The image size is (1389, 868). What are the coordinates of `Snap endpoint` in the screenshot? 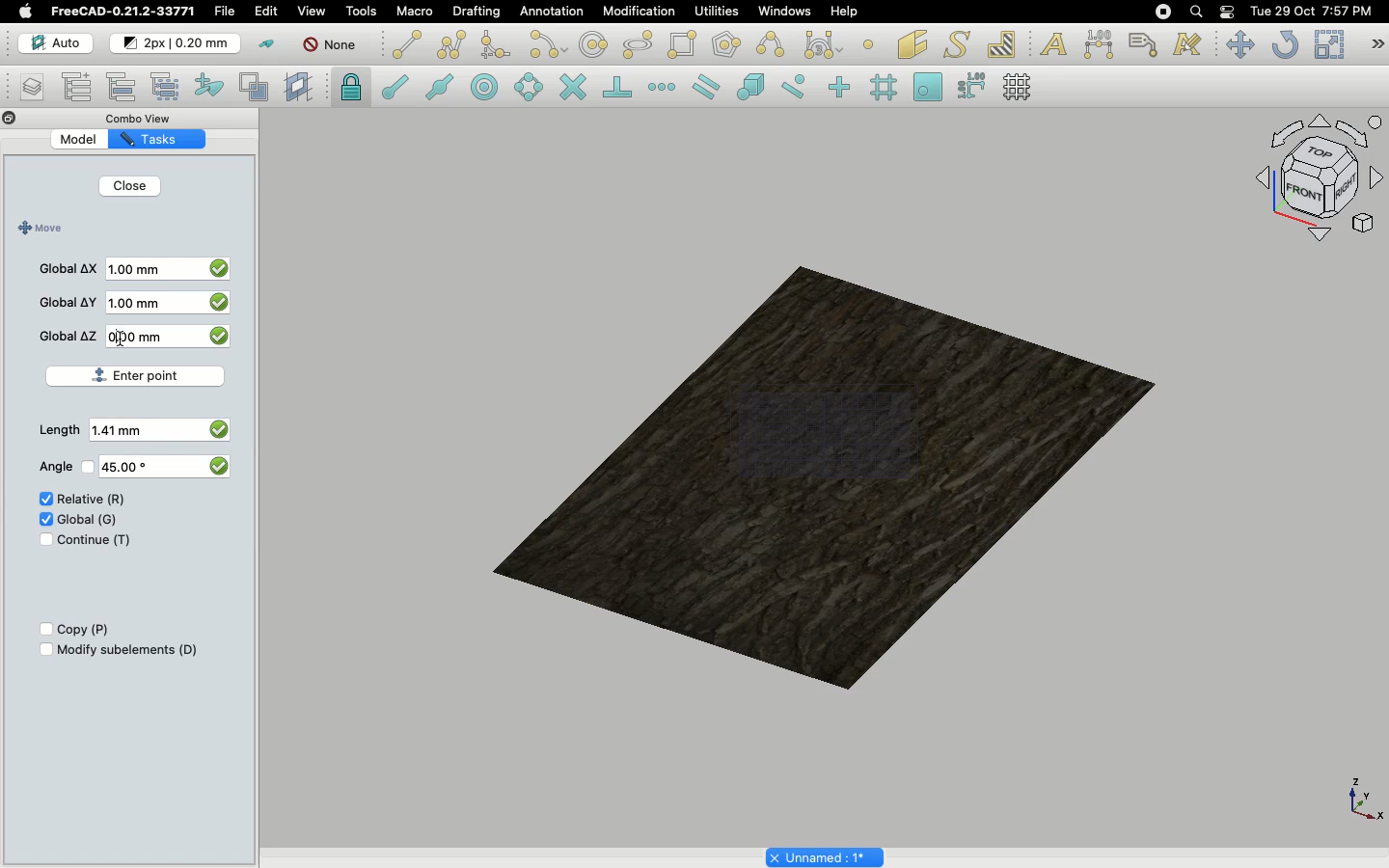 It's located at (395, 90).